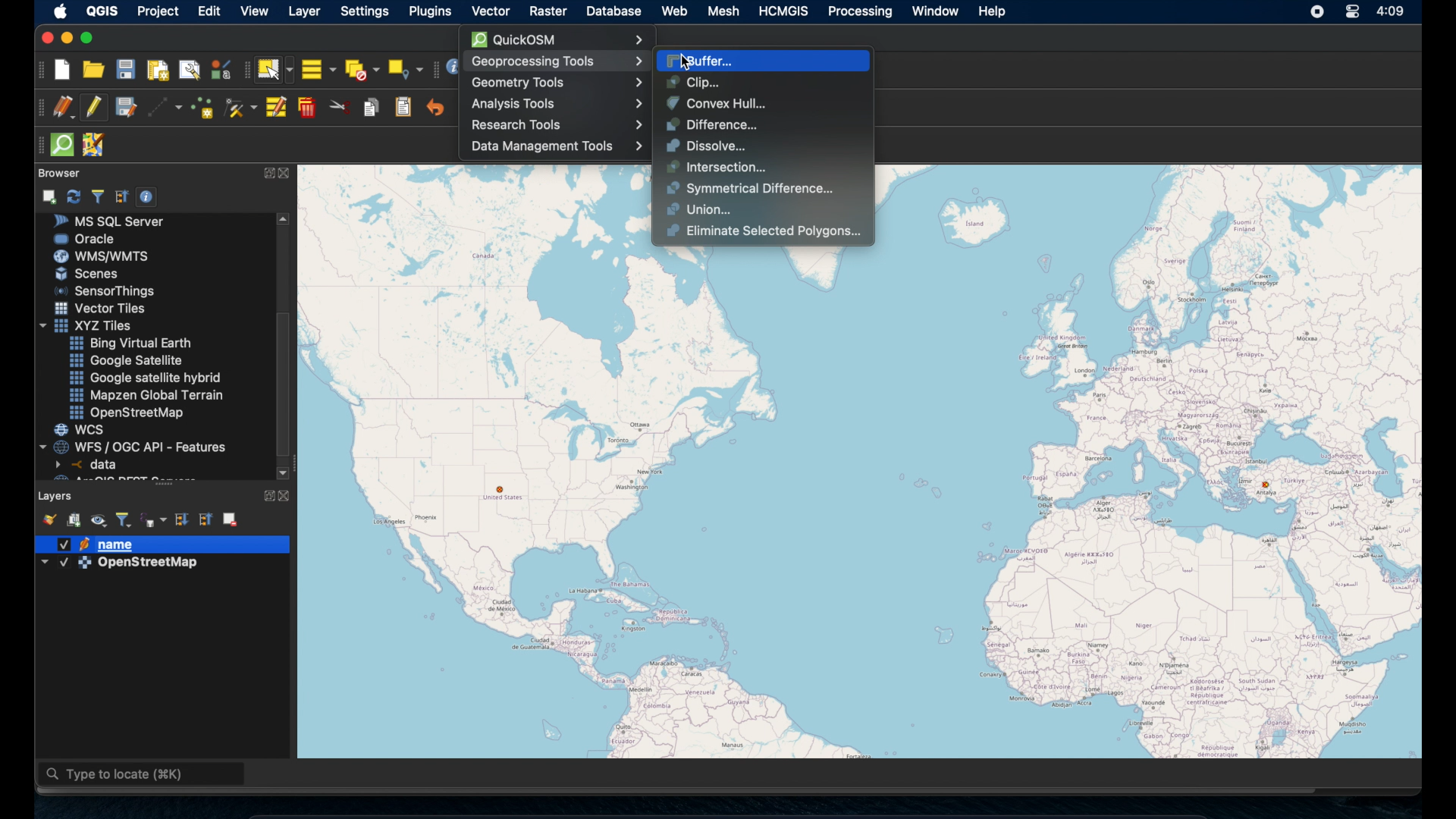 The image size is (1456, 819). I want to click on paste features, so click(403, 106).